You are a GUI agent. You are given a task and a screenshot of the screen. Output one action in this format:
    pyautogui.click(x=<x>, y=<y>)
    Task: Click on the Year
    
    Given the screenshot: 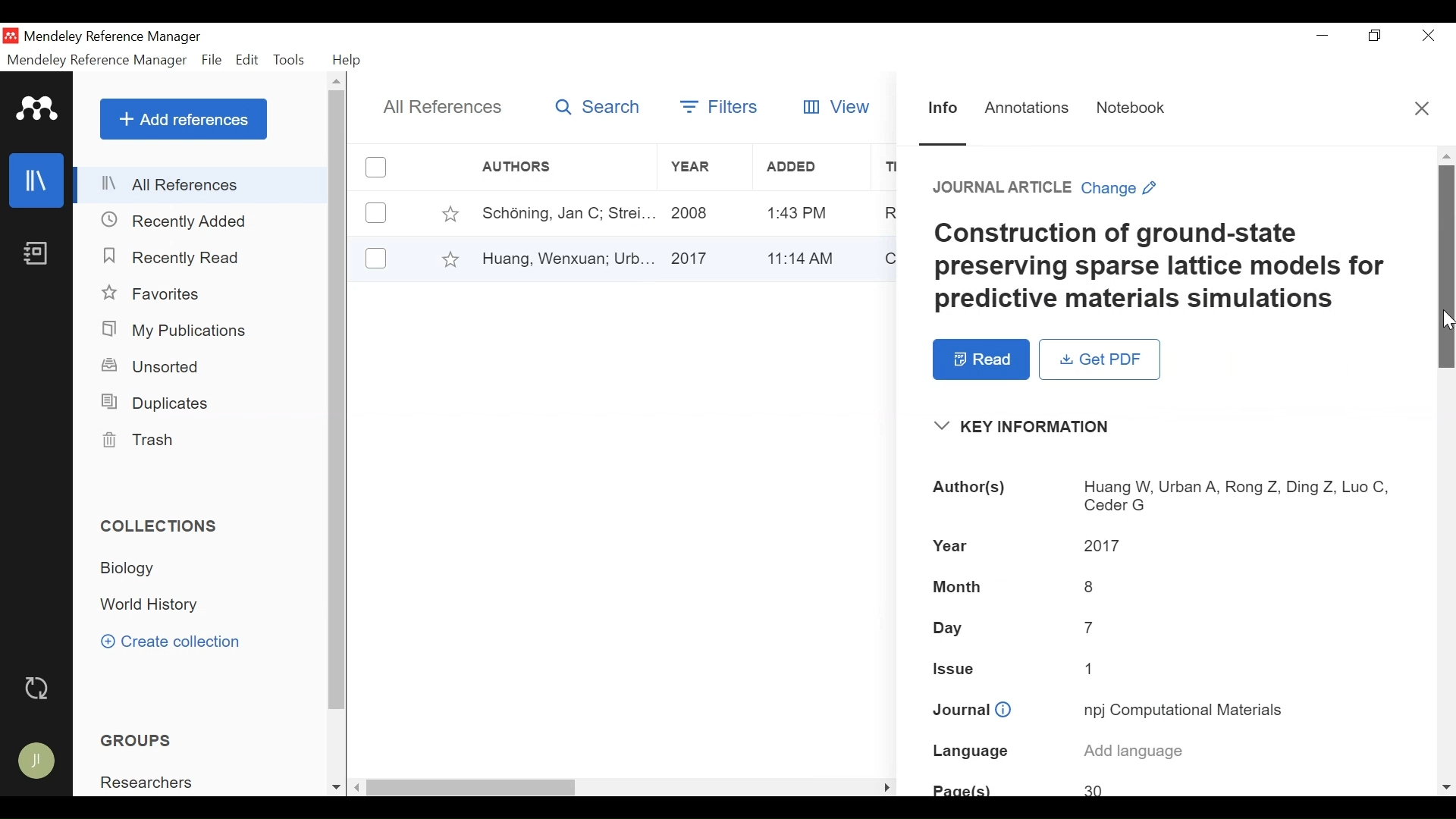 What is the action you would take?
    pyautogui.click(x=703, y=212)
    